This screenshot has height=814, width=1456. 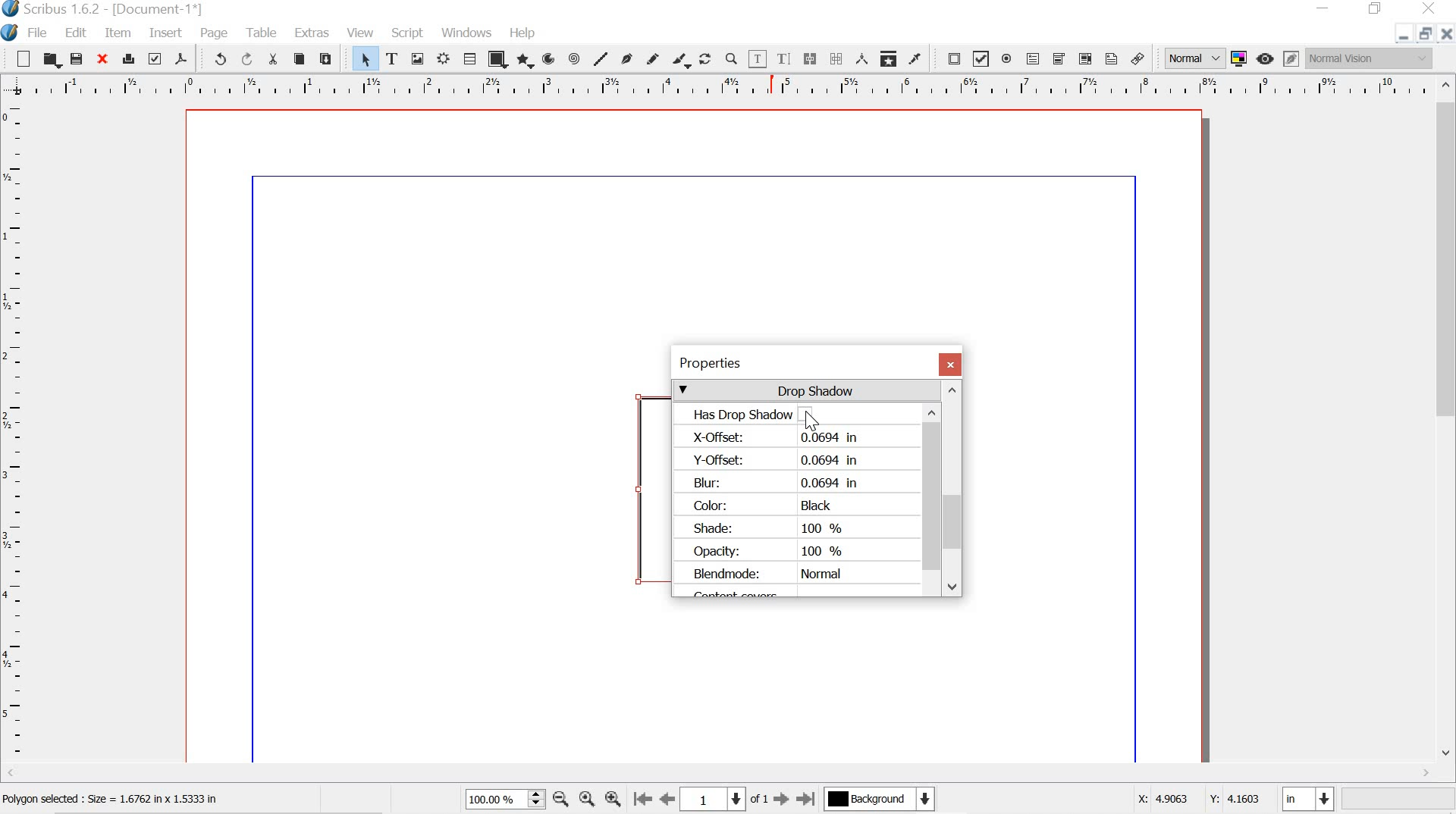 I want to click on HELP, so click(x=524, y=31).